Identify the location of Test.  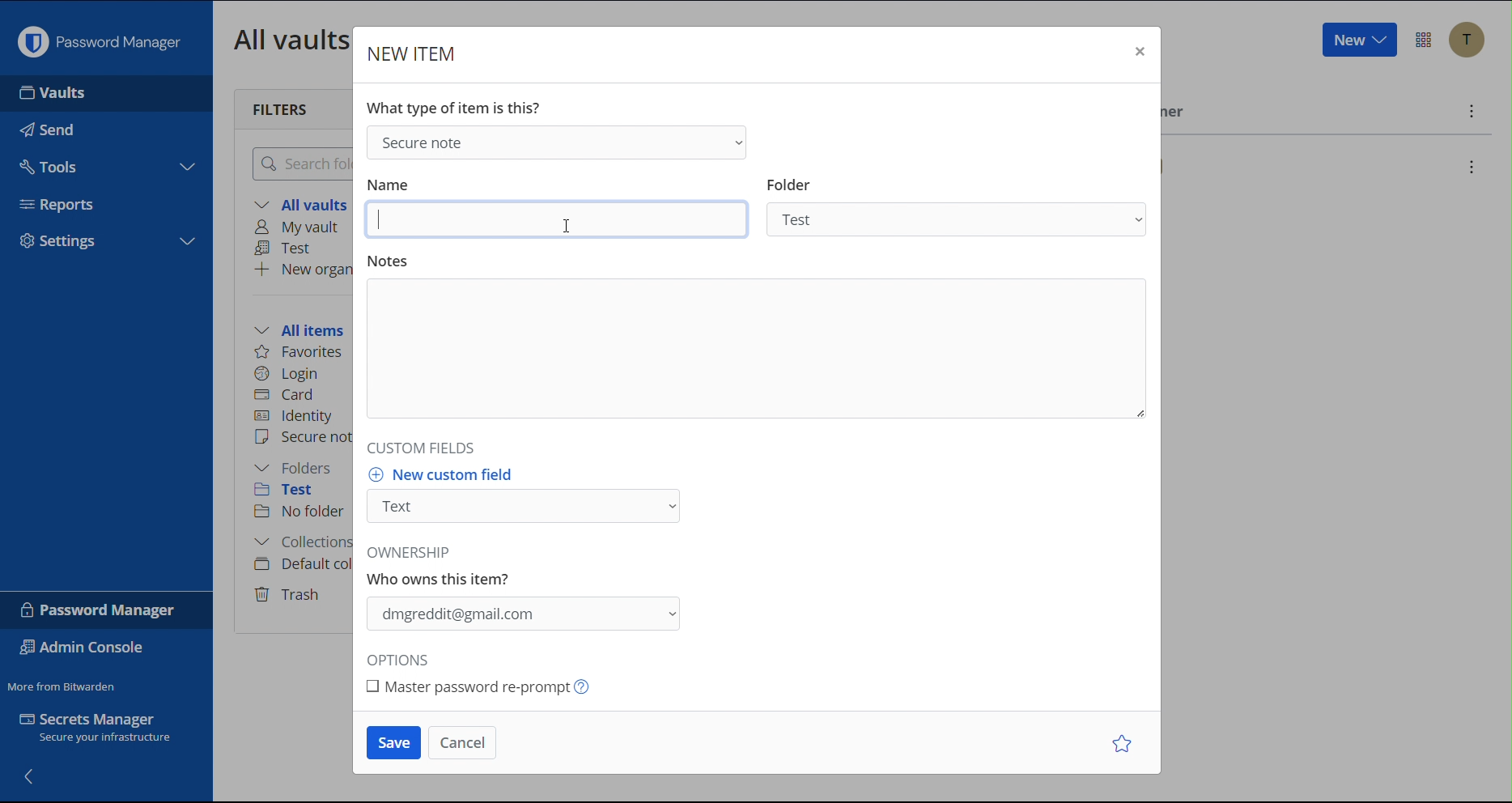
(287, 249).